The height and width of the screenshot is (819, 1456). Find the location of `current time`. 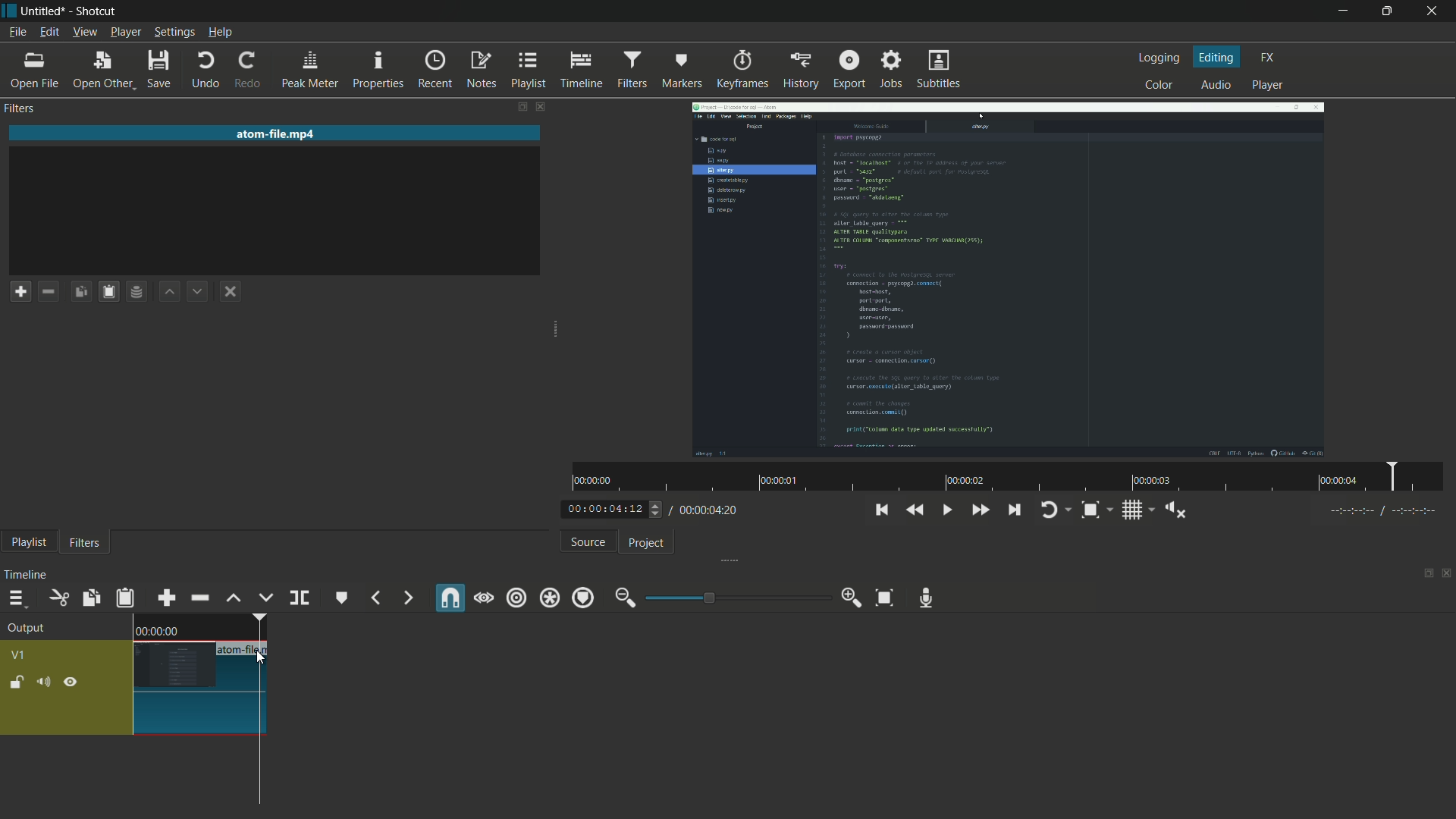

current time is located at coordinates (604, 510).